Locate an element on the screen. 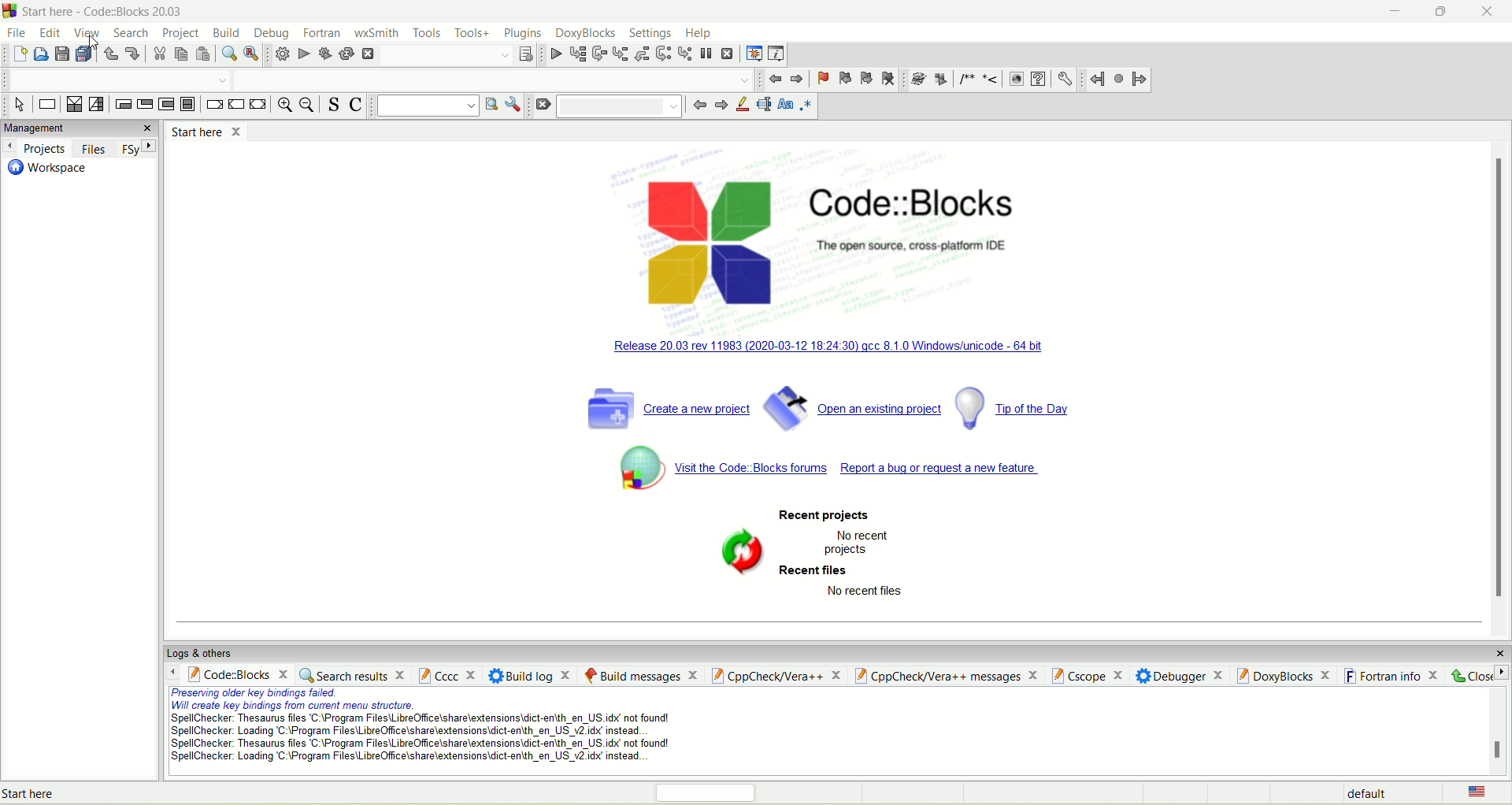 The width and height of the screenshot is (1512, 805). search is located at coordinates (132, 34).